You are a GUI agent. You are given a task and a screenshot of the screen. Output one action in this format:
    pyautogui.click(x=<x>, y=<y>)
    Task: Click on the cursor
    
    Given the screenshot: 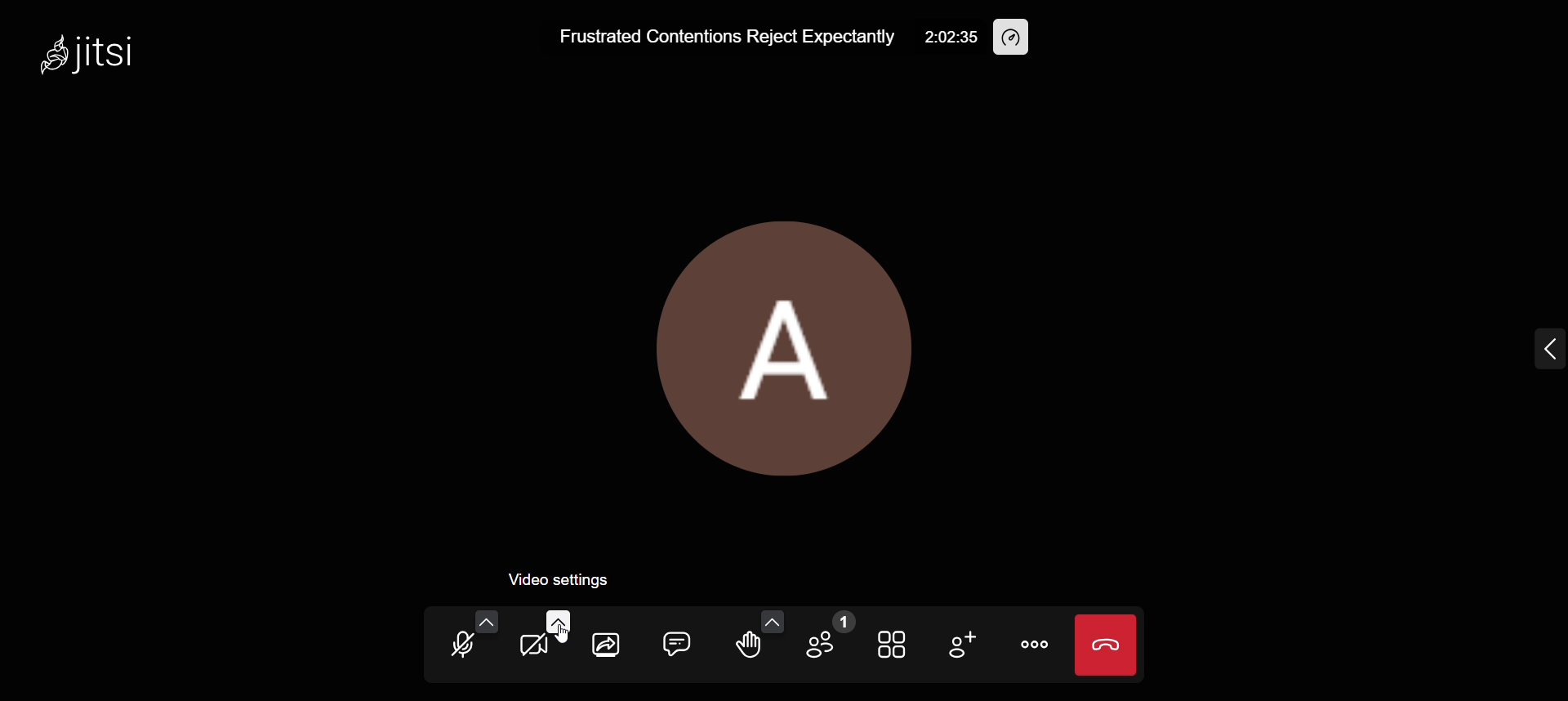 What is the action you would take?
    pyautogui.click(x=566, y=637)
    